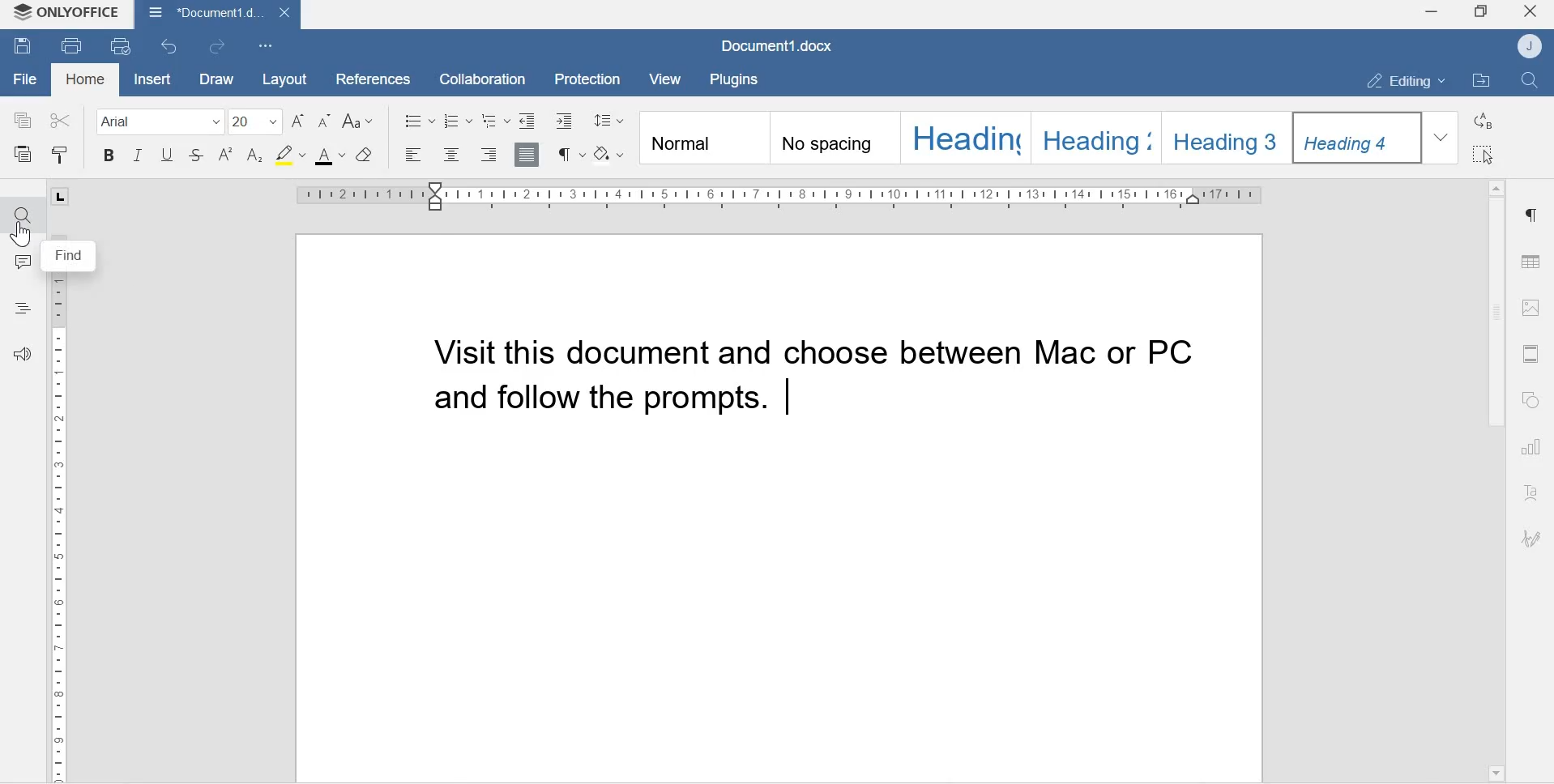  What do you see at coordinates (489, 155) in the screenshot?
I see `Align right` at bounding box center [489, 155].